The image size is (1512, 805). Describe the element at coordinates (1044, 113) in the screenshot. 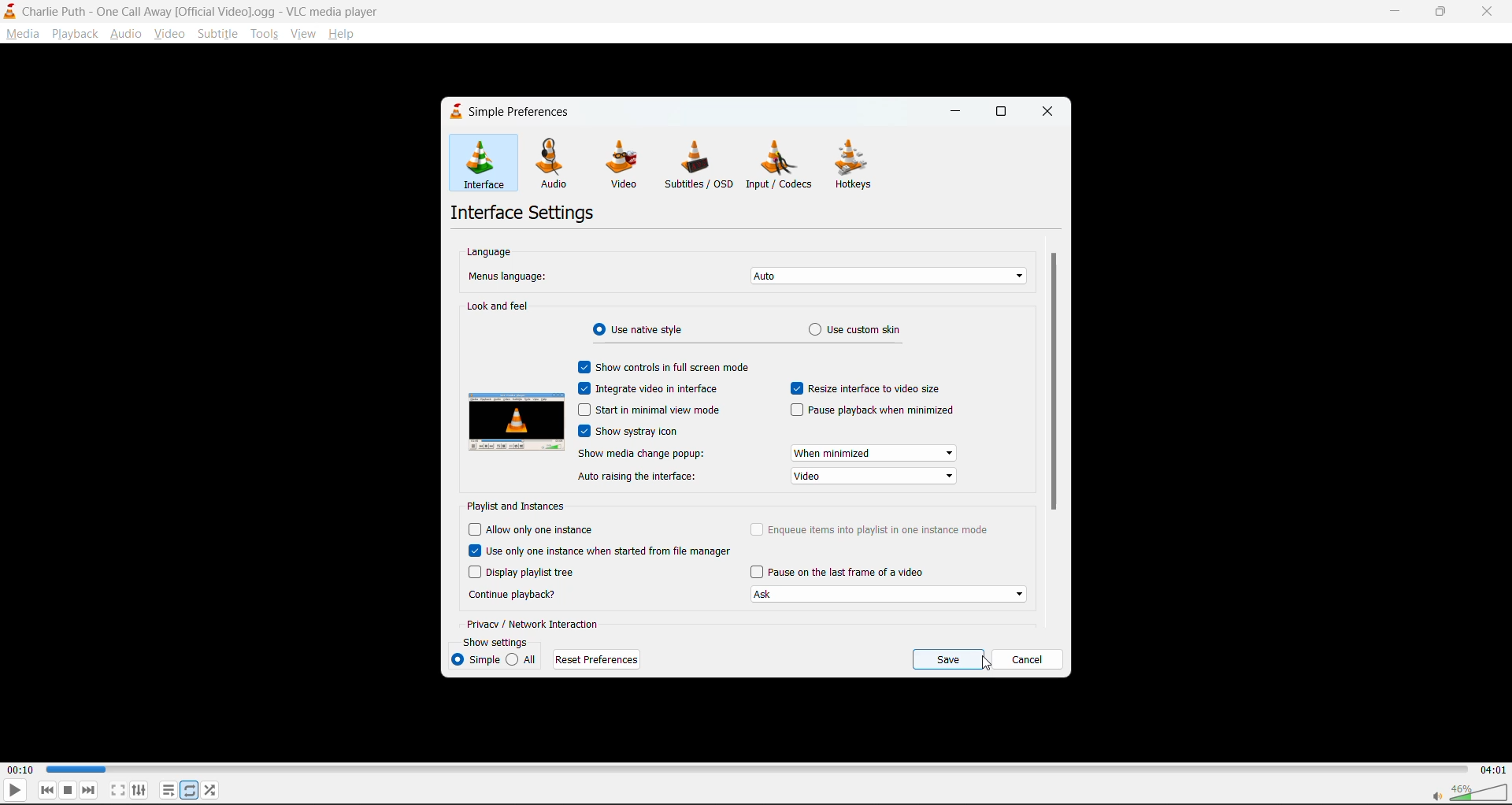

I see `close` at that location.